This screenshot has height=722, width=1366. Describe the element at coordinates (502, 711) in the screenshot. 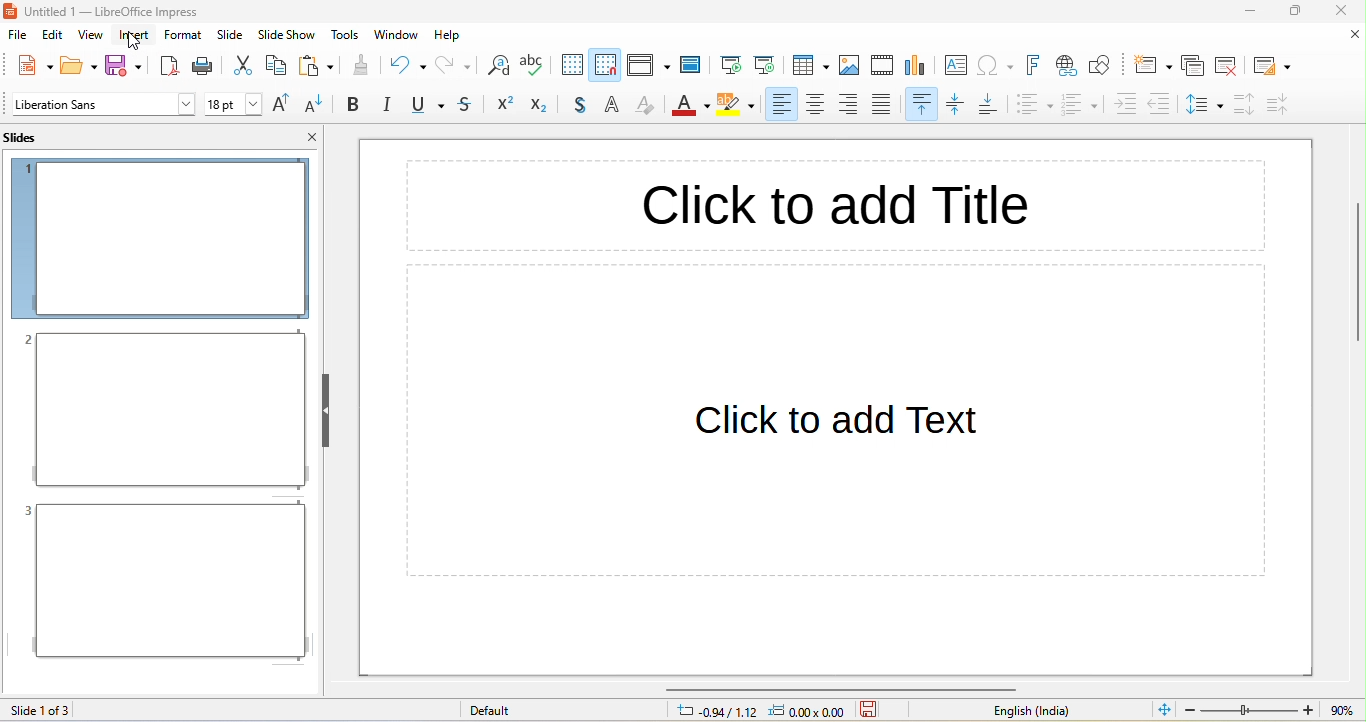

I see `default` at that location.